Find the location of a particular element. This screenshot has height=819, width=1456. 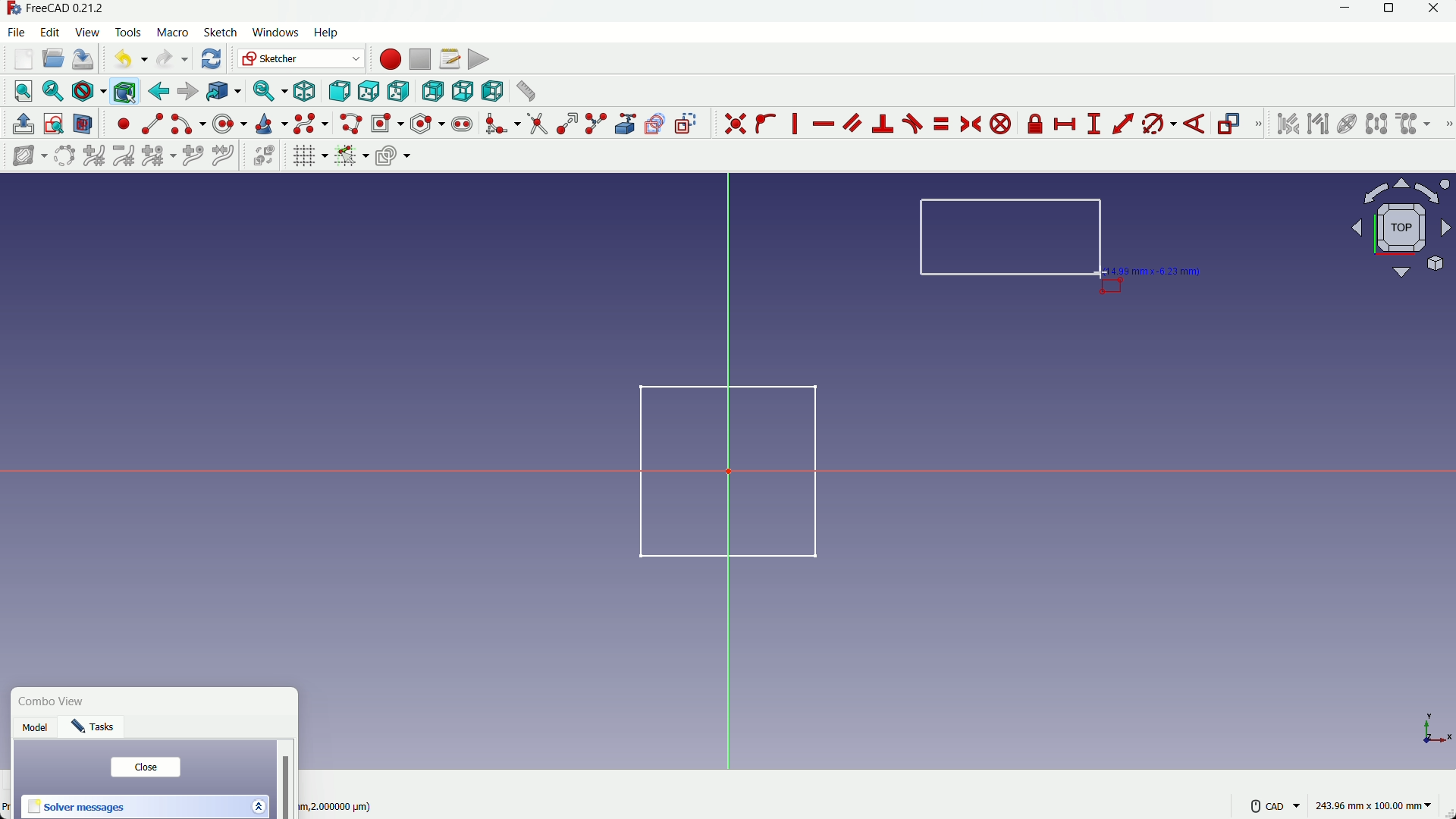

close is located at coordinates (145, 767).